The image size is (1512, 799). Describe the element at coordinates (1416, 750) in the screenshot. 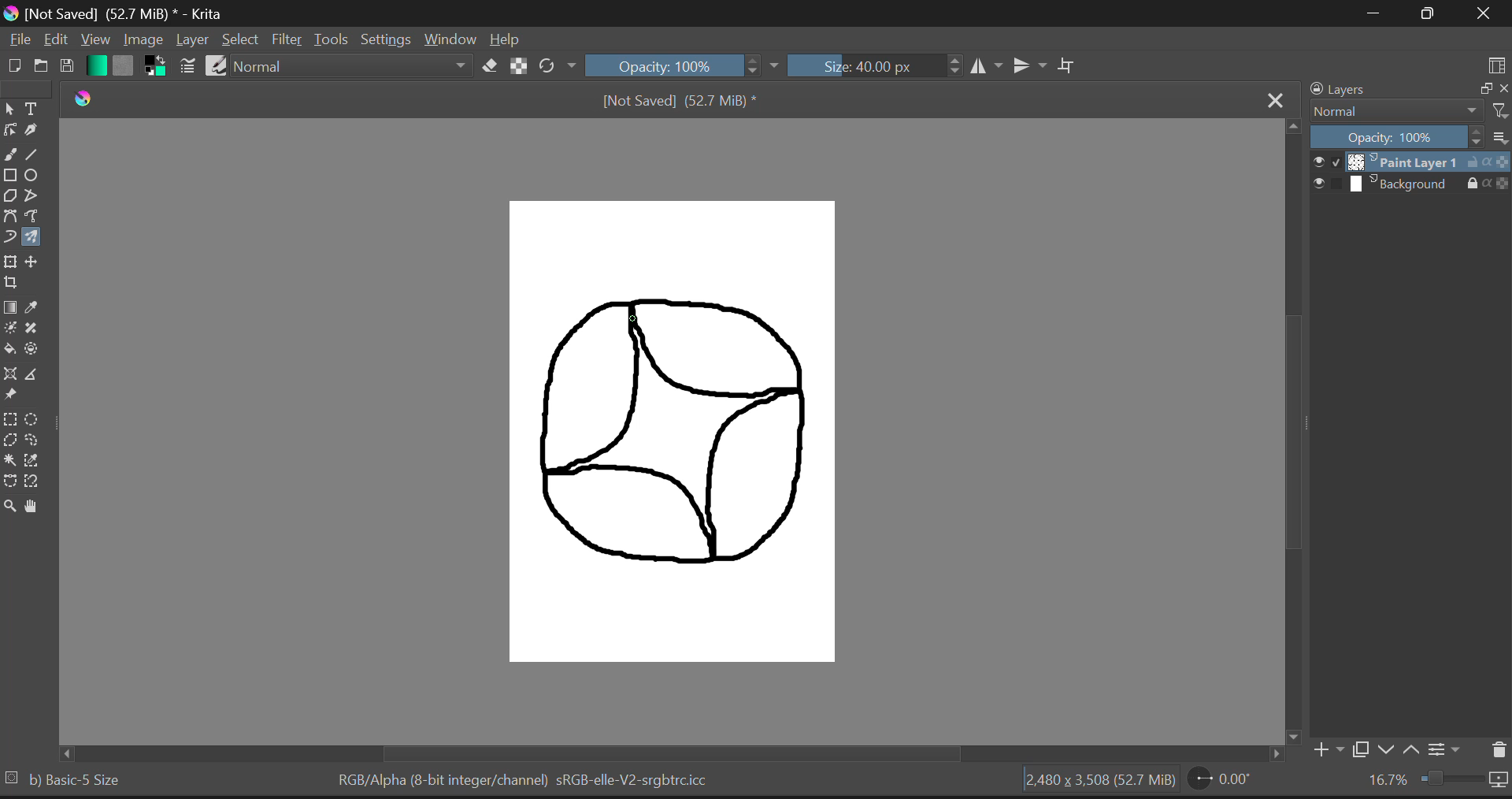

I see `Move Layer Up` at that location.